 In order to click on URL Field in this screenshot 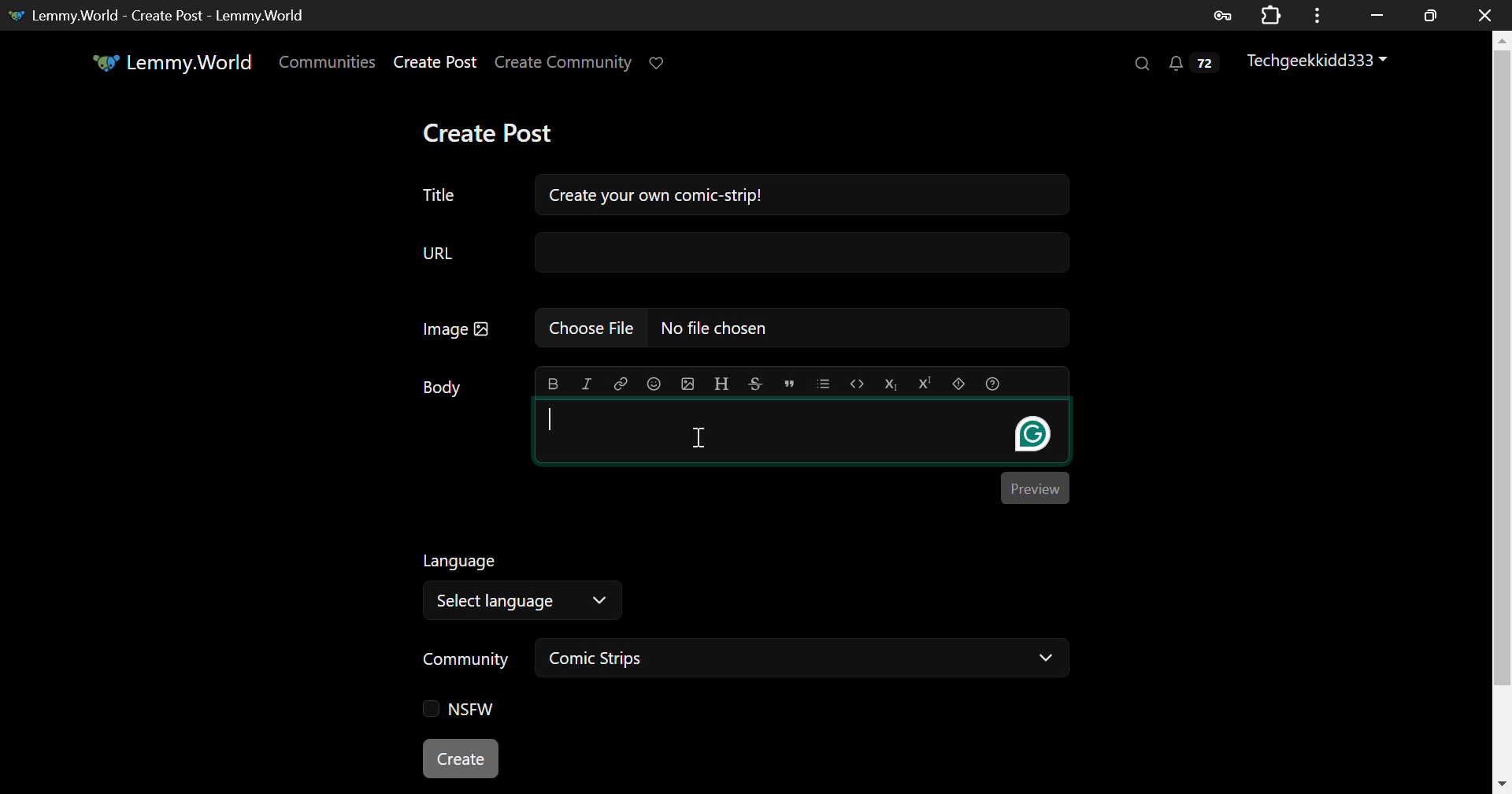, I will do `click(740, 254)`.